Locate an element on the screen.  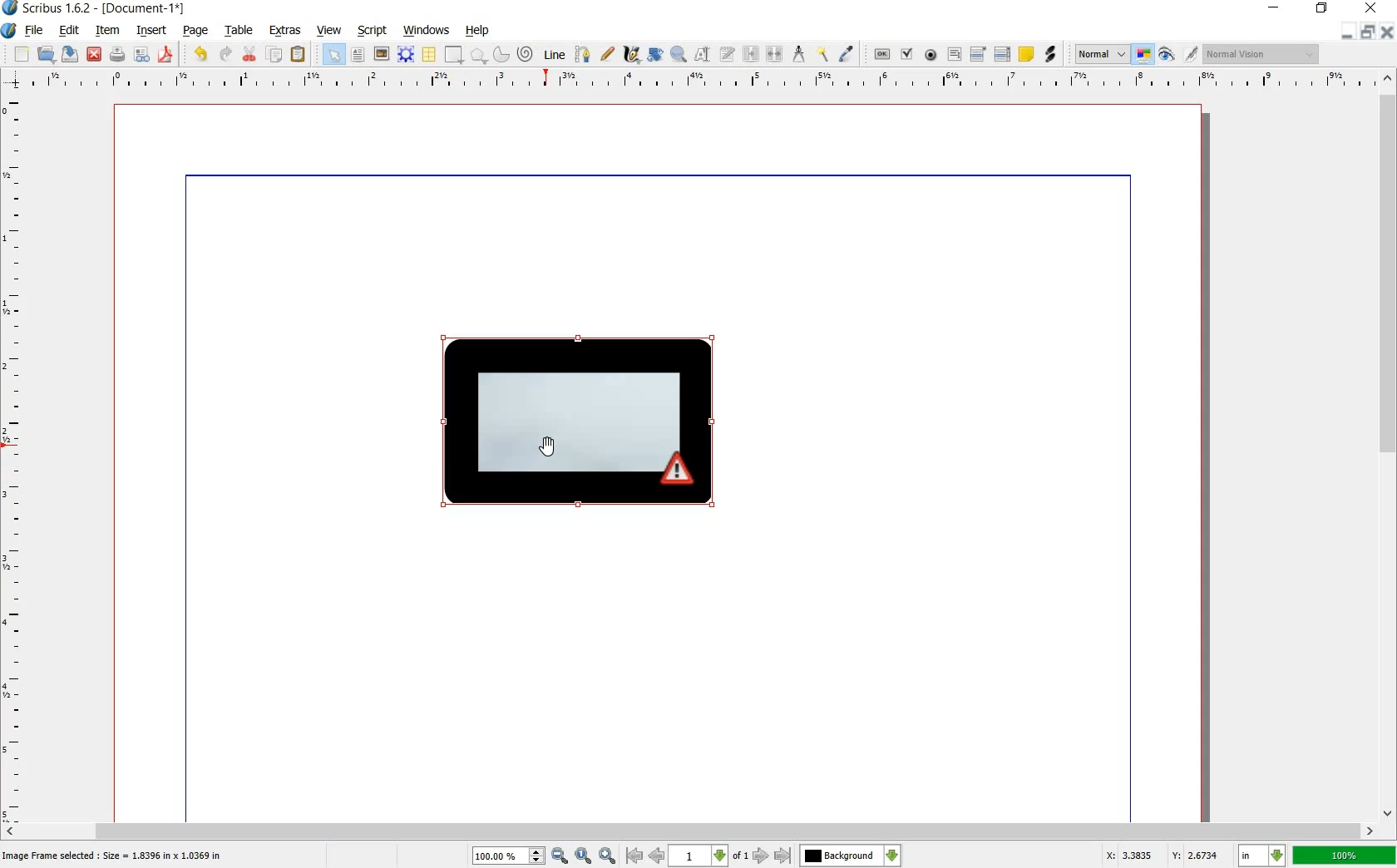
select all is located at coordinates (333, 55).